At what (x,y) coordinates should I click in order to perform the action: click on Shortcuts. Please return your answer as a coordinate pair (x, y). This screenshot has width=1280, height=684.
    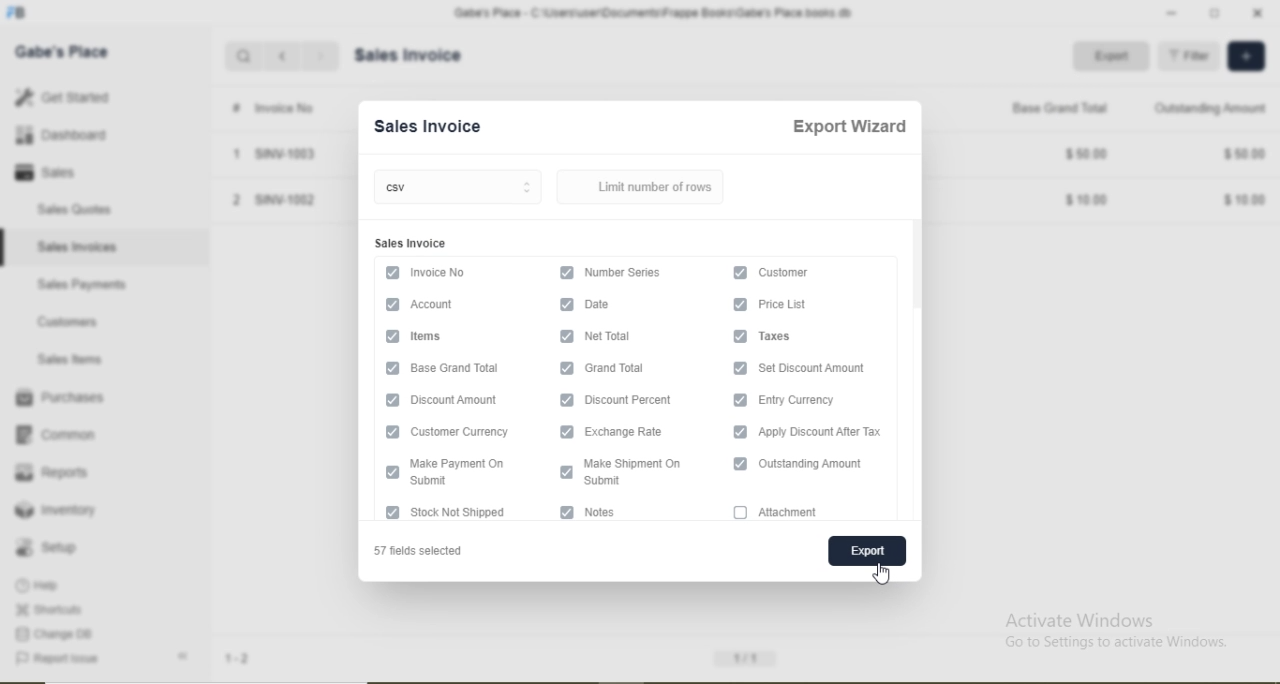
    Looking at the image, I should click on (55, 610).